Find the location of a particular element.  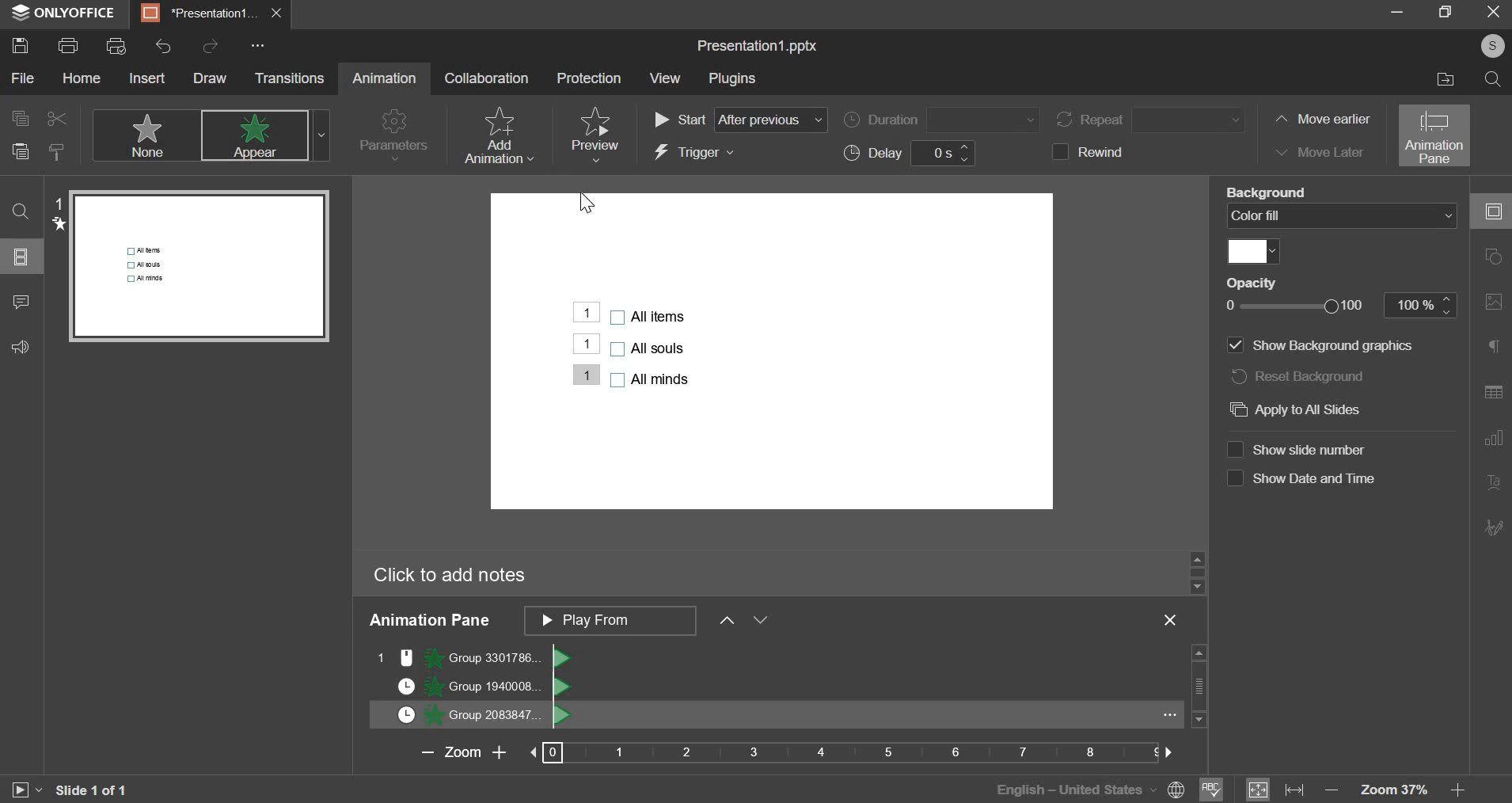

comment is located at coordinates (20, 304).